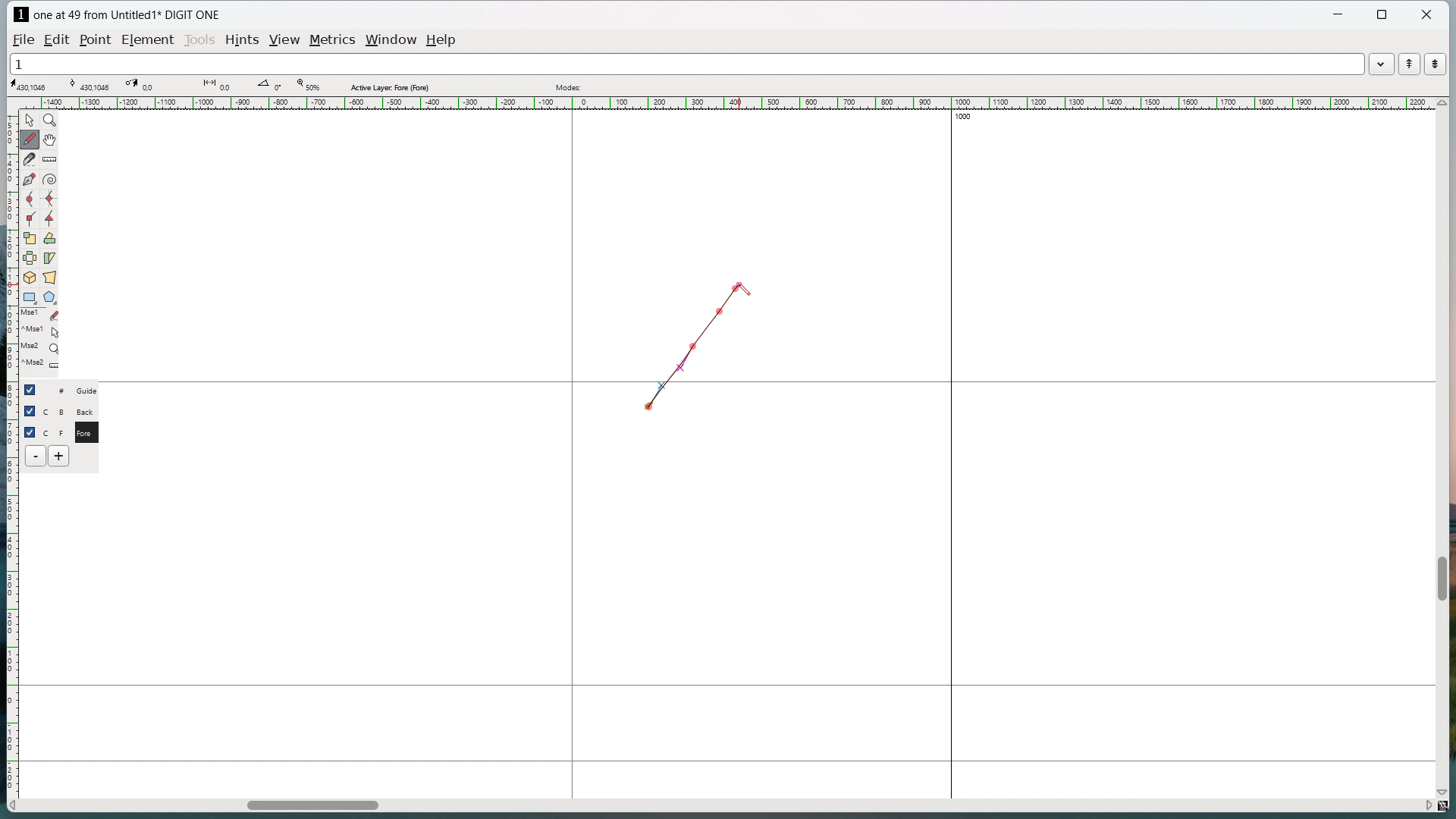 The image size is (1456, 819). I want to click on edit, so click(59, 39).